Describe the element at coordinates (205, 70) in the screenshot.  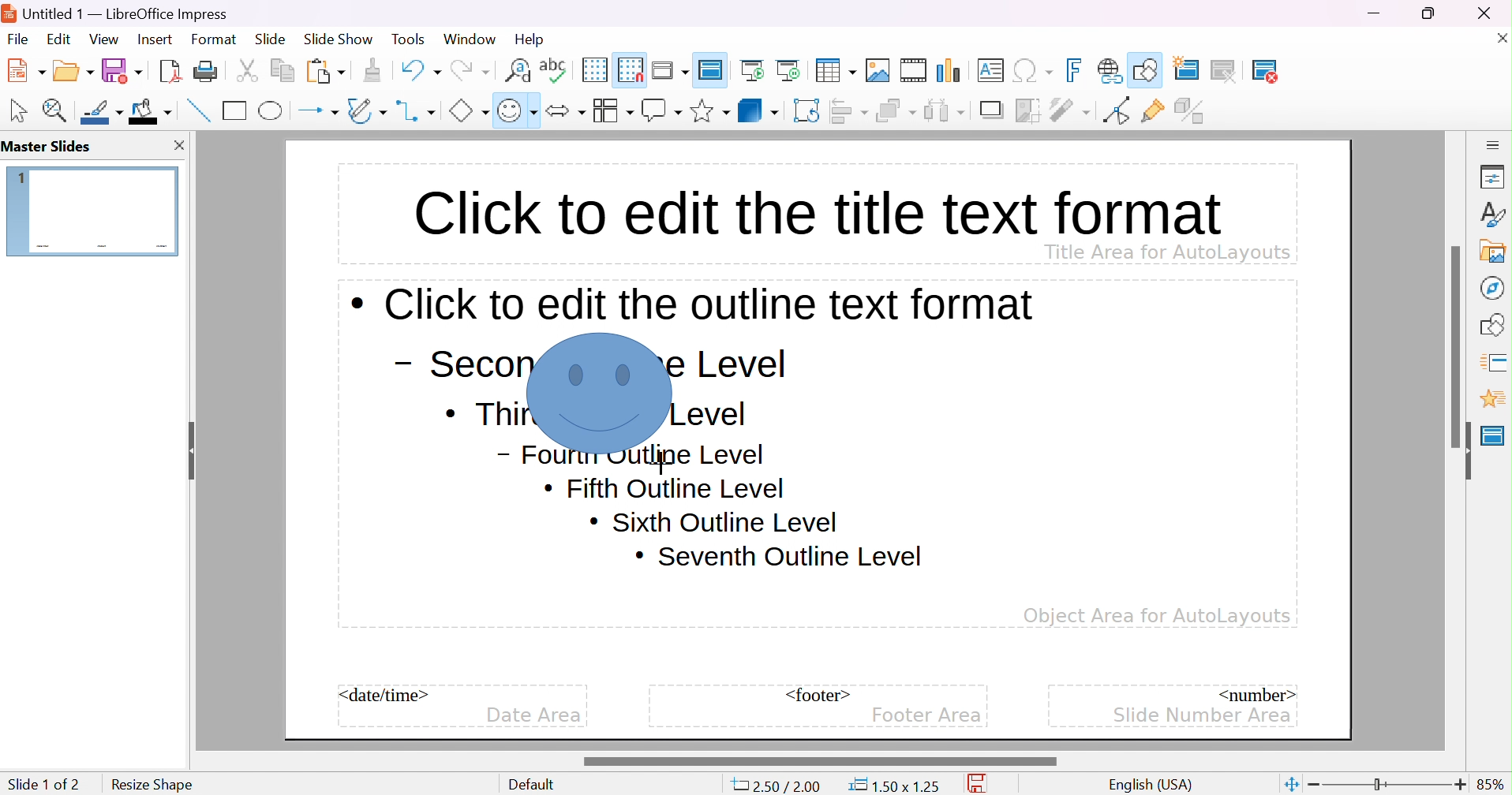
I see `print` at that location.